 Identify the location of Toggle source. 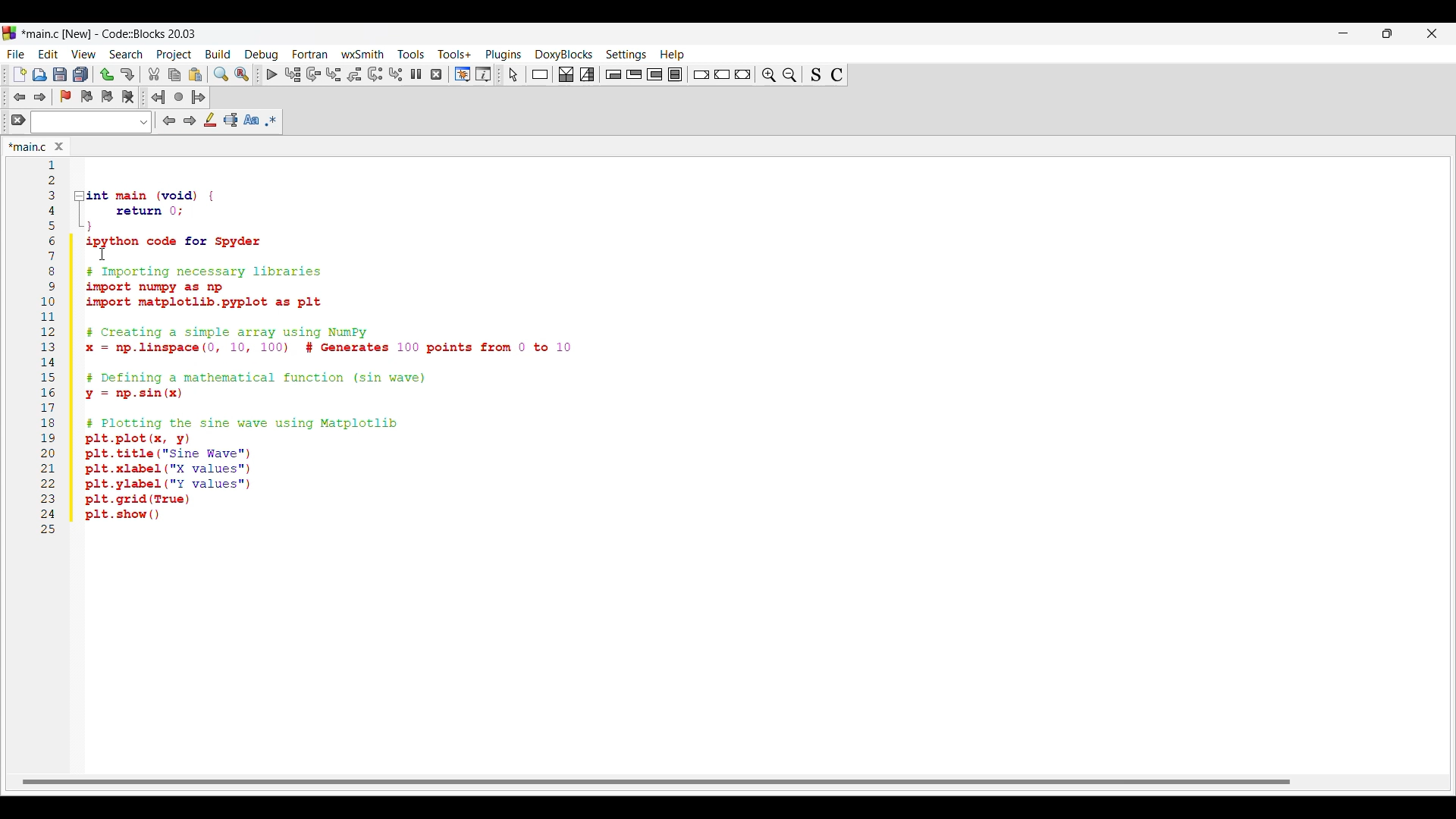
(815, 74).